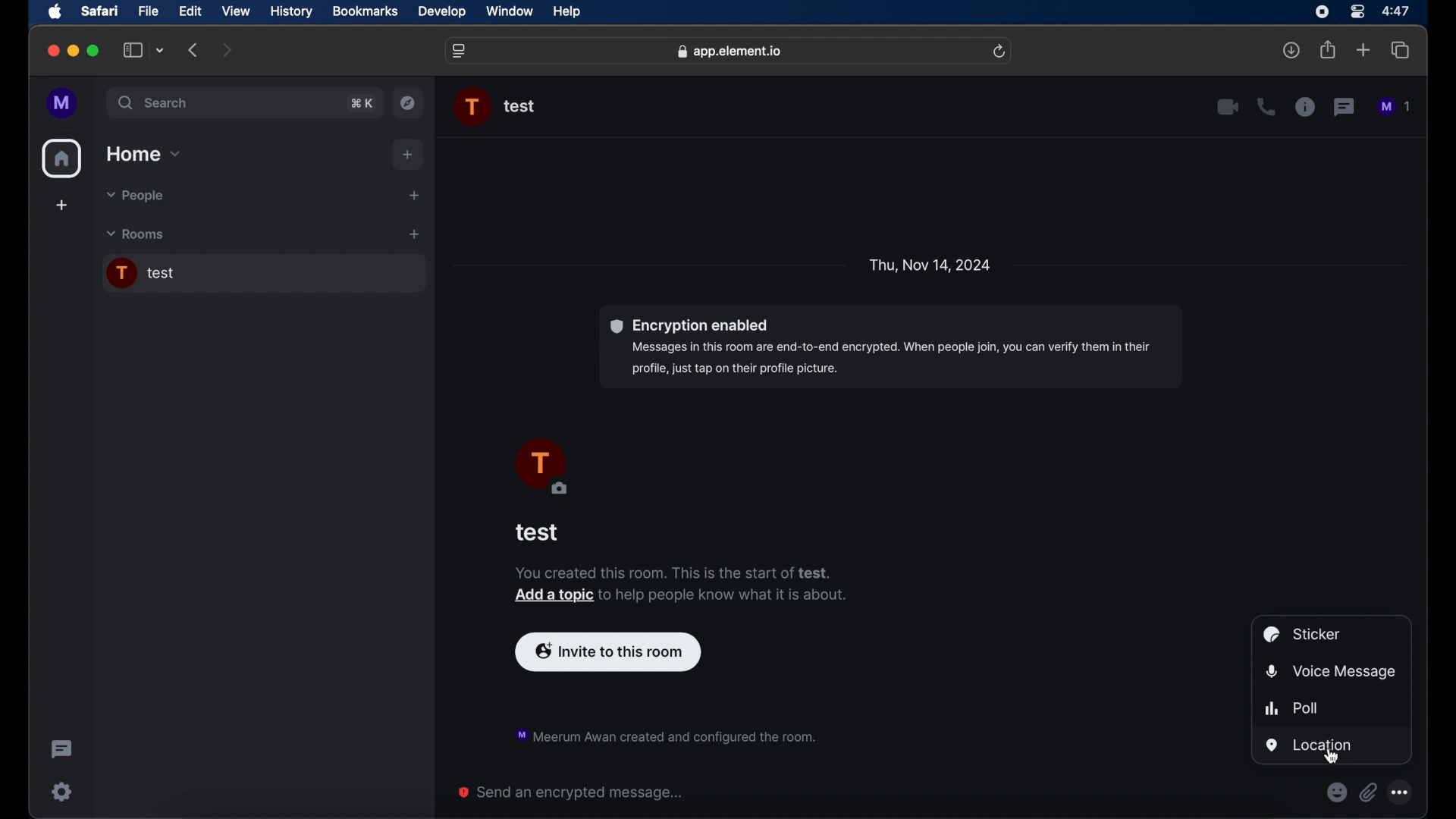 Image resolution: width=1456 pixels, height=819 pixels. Describe the element at coordinates (681, 585) in the screenshot. I see `notification` at that location.